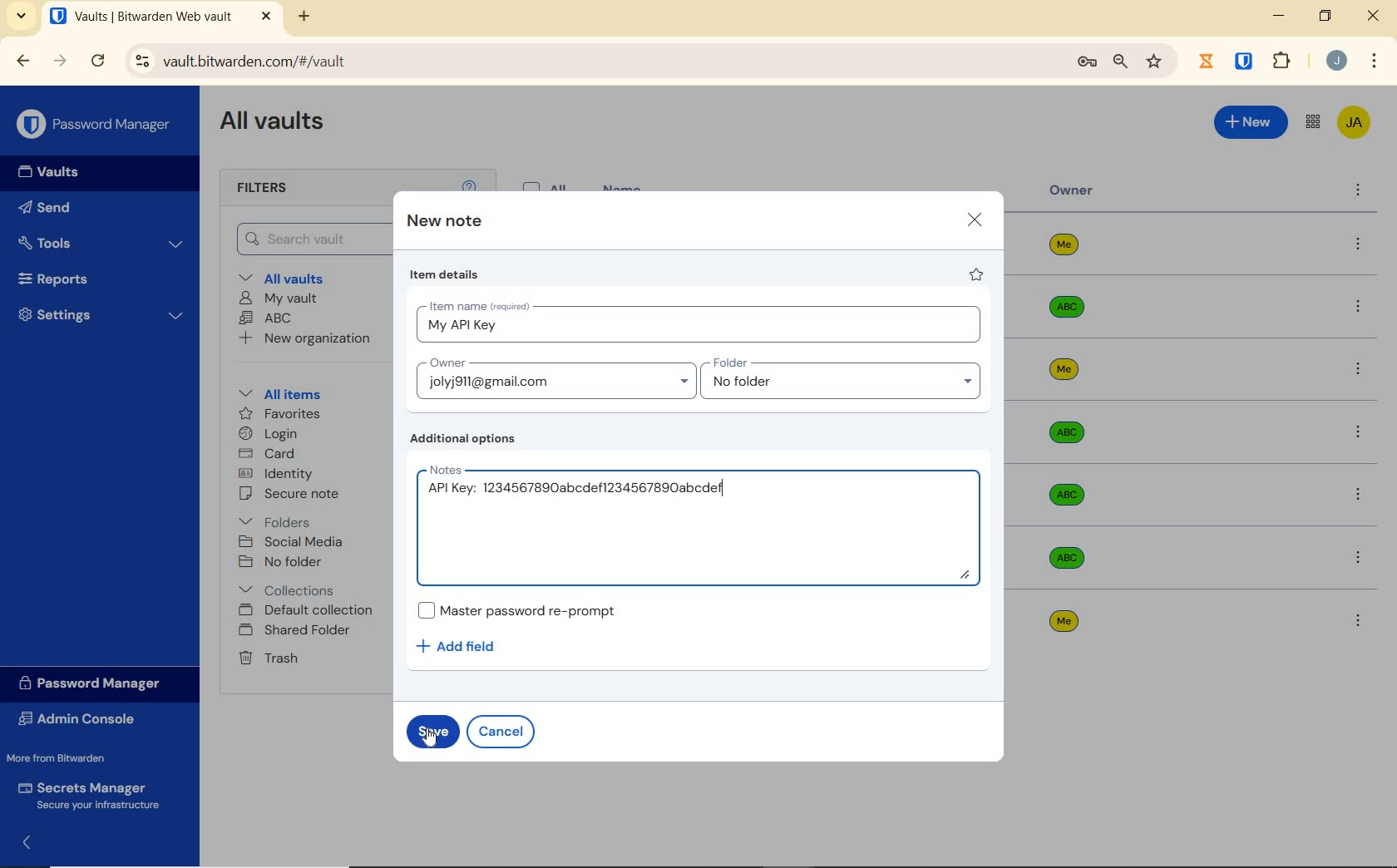  I want to click on shared folder, so click(297, 631).